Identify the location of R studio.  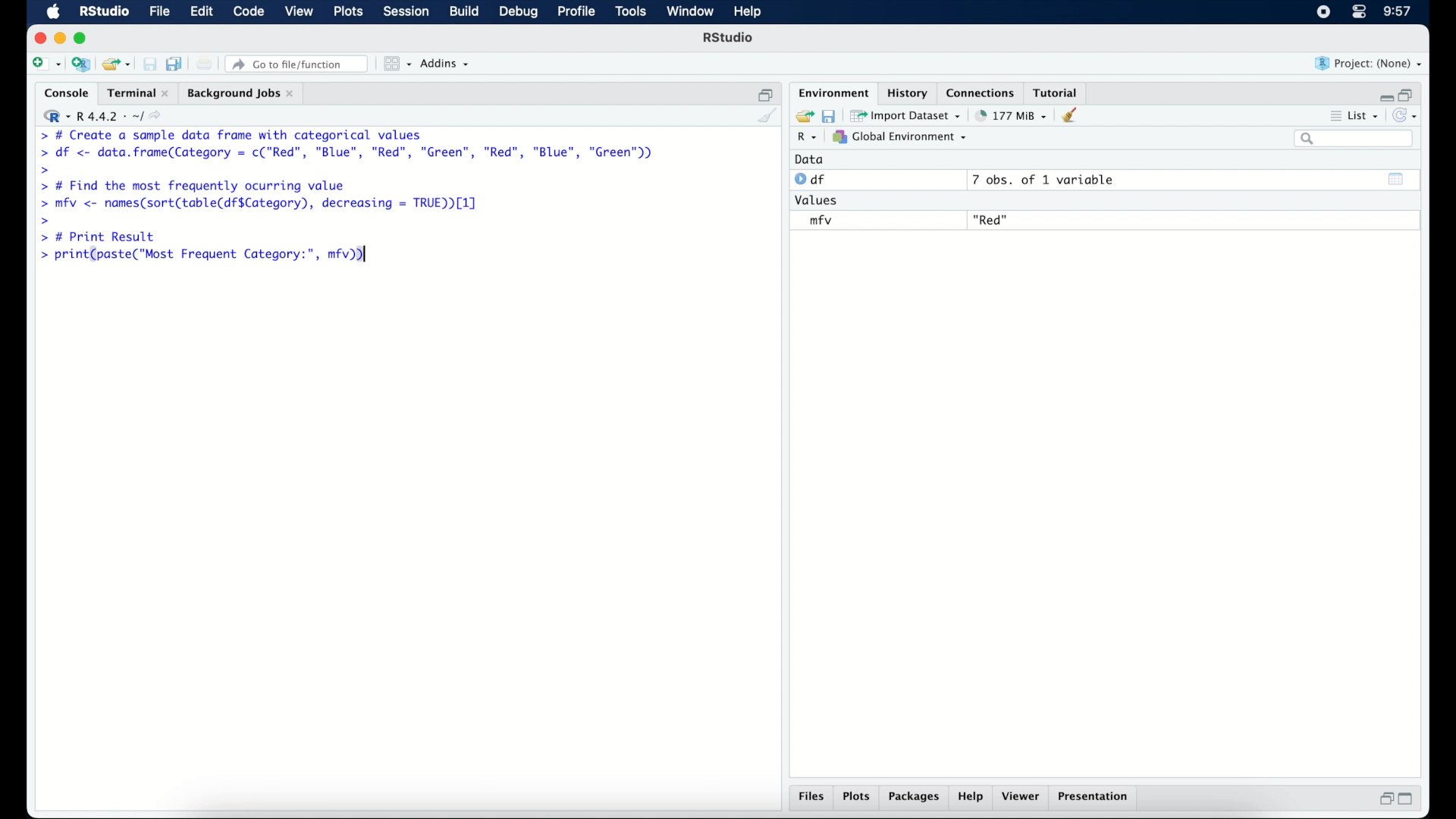
(104, 12).